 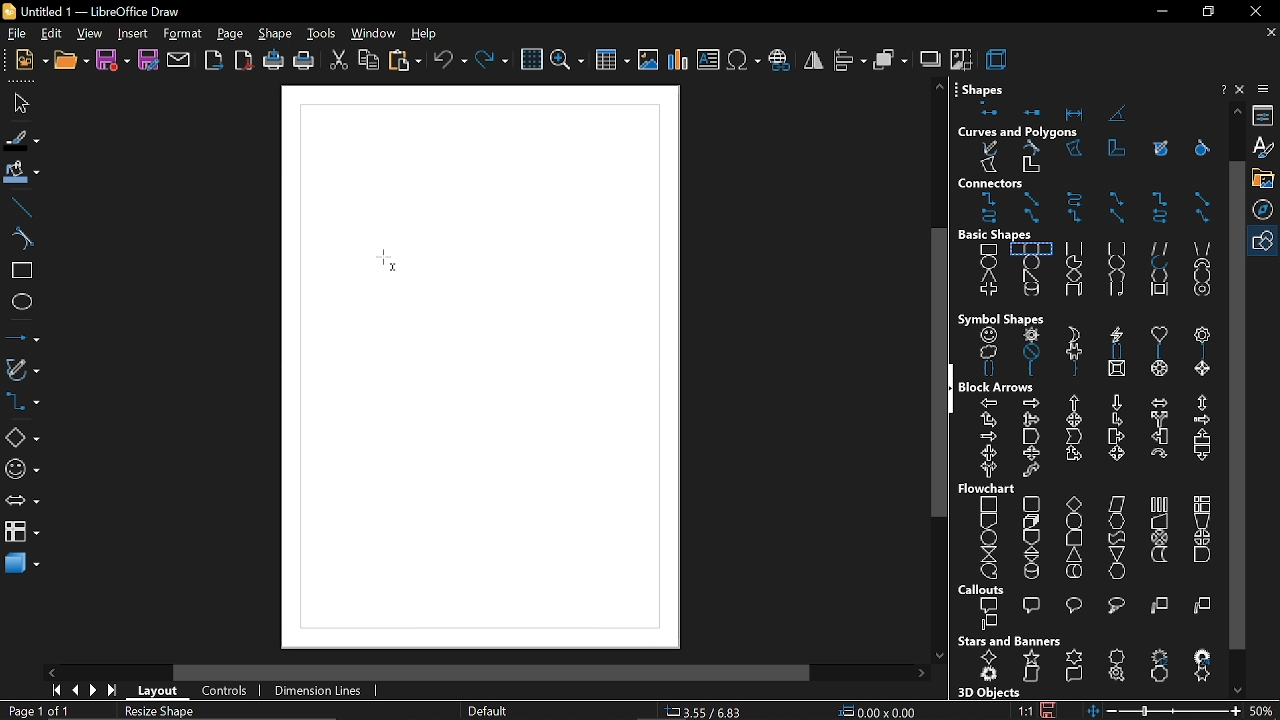 What do you see at coordinates (932, 376) in the screenshot?
I see `vertical scroll bar` at bounding box center [932, 376].